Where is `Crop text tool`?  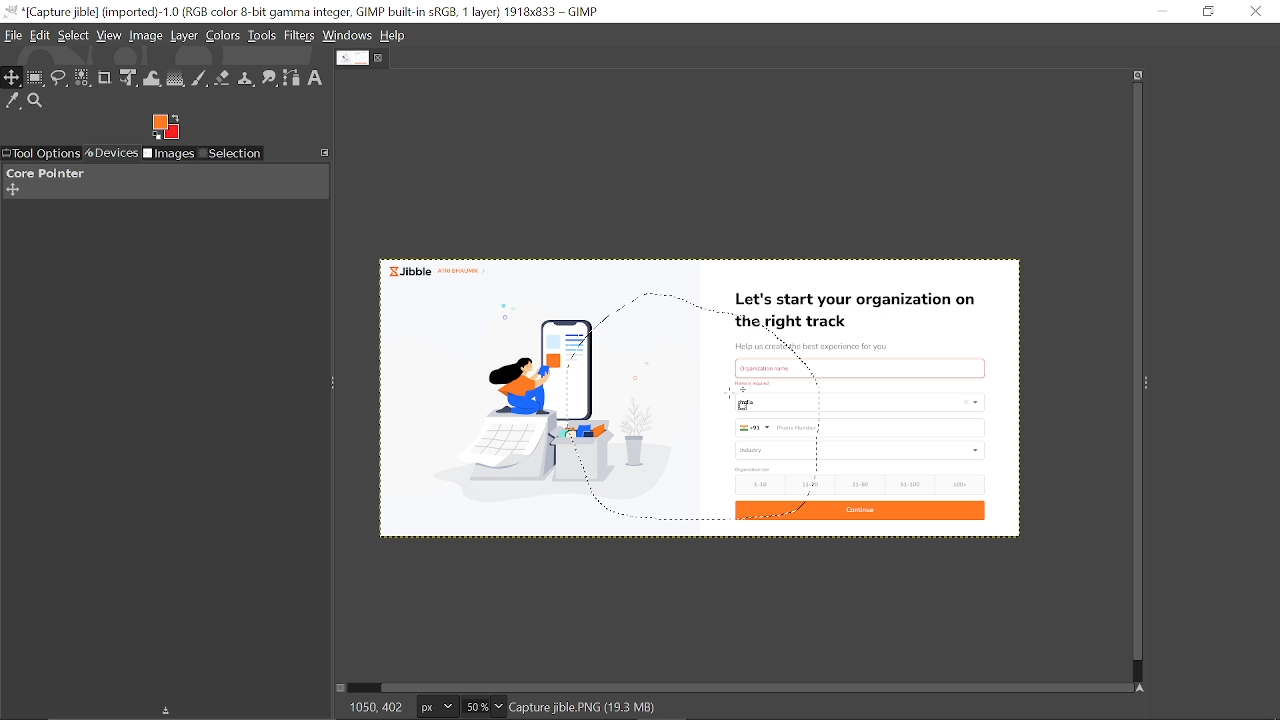
Crop text tool is located at coordinates (105, 78).